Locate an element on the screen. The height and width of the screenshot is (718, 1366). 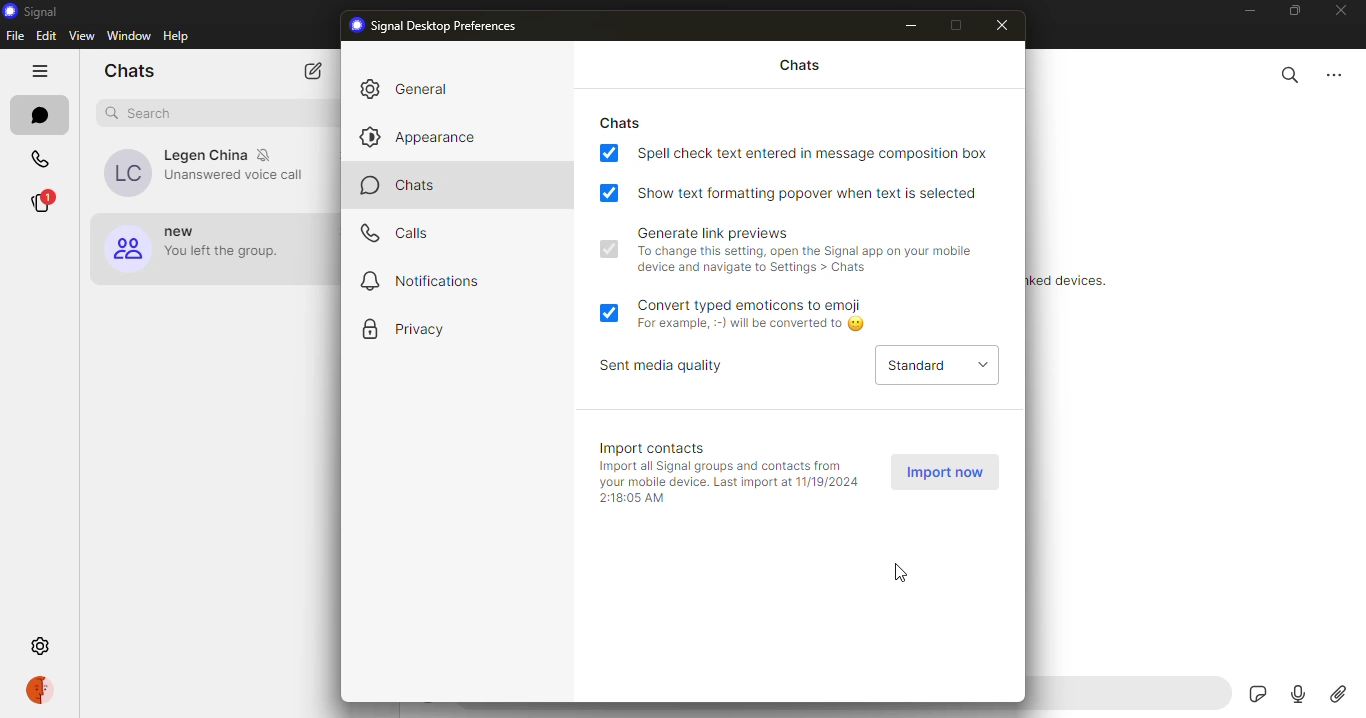
contact is located at coordinates (208, 175).